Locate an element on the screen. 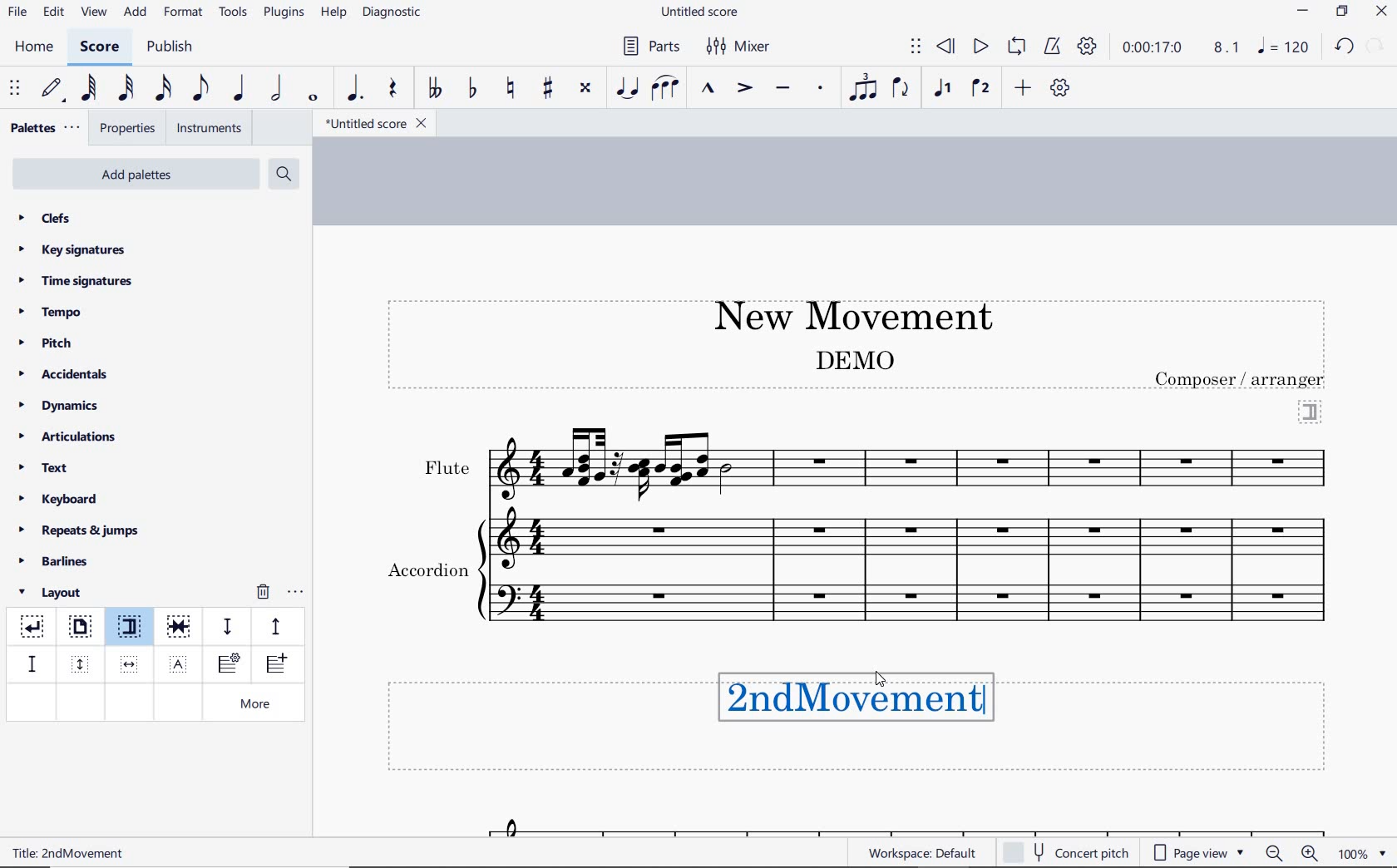 This screenshot has height=868, width=1397. staccato is located at coordinates (821, 88).